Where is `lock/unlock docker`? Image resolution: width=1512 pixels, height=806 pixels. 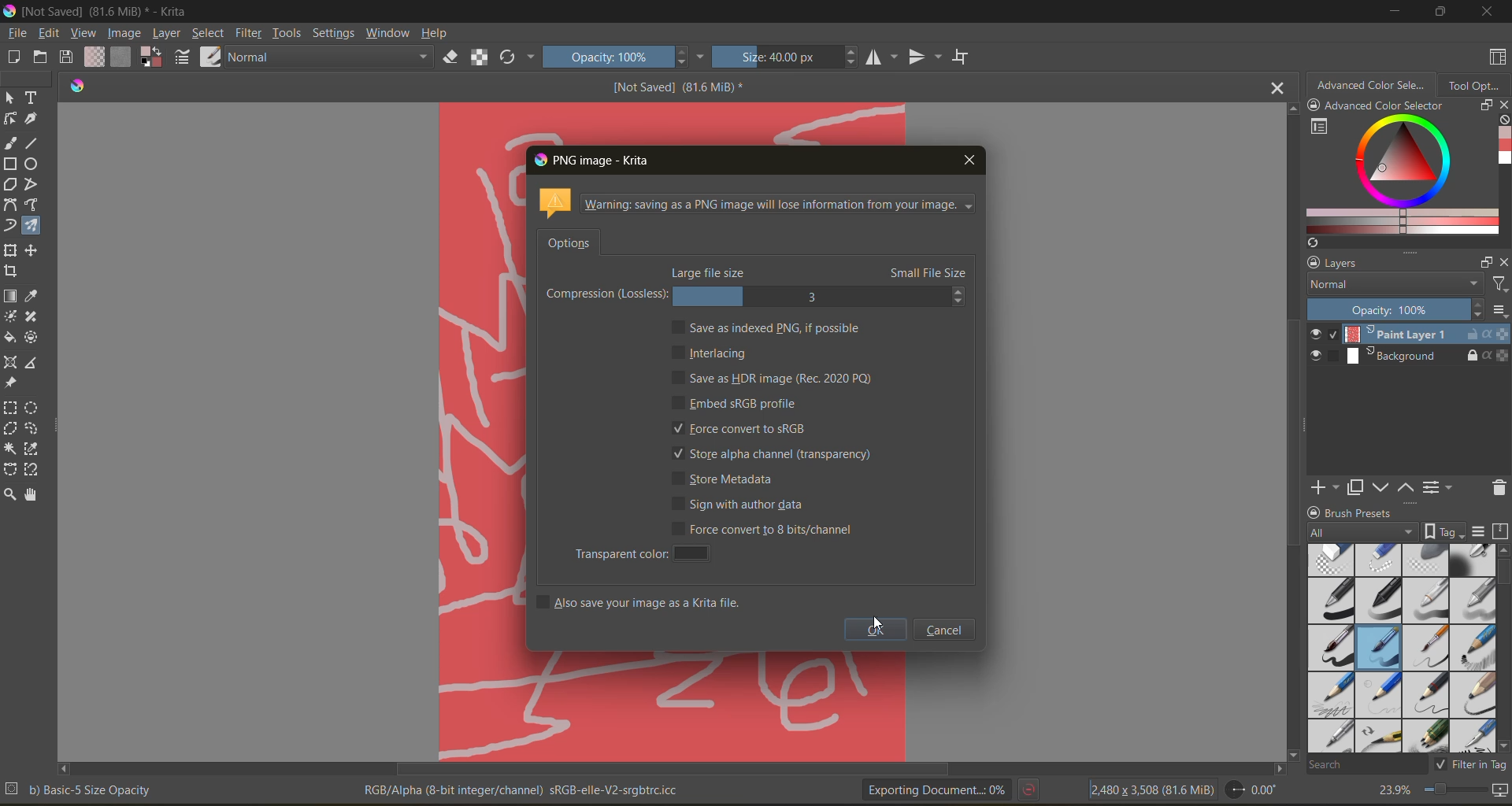
lock/unlock docker is located at coordinates (1317, 107).